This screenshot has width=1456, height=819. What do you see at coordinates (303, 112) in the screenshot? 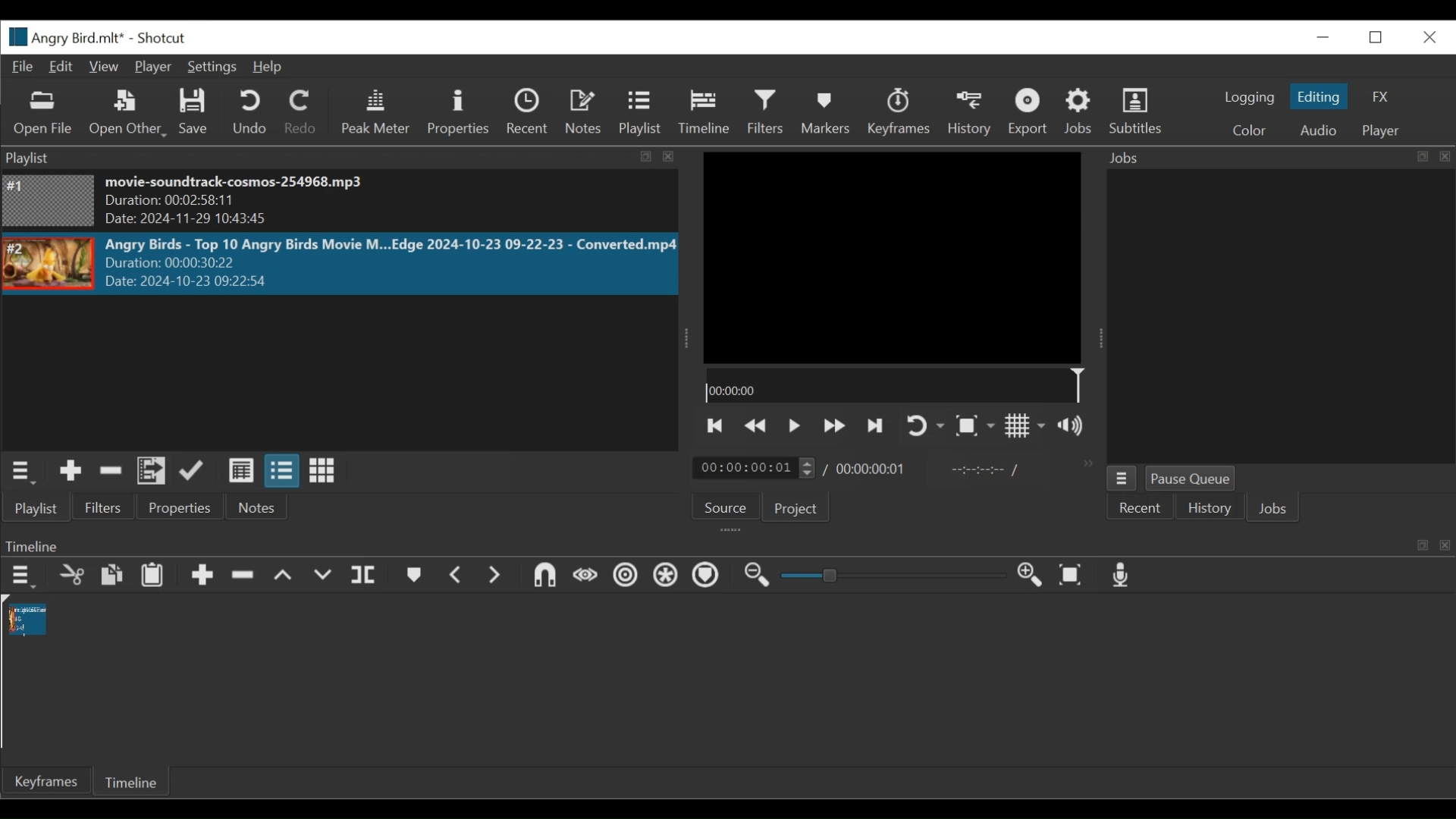
I see `Redo` at bounding box center [303, 112].